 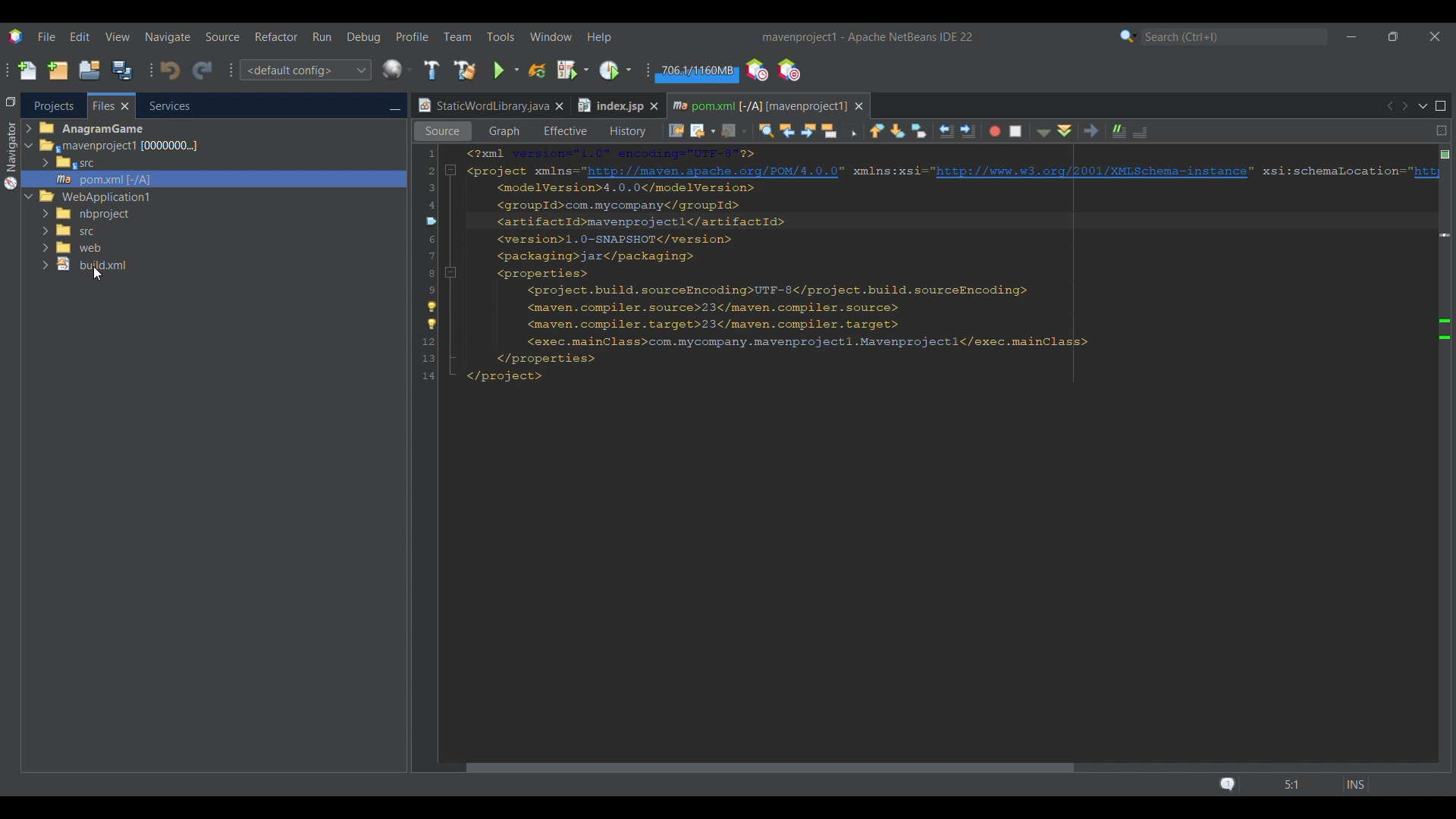 What do you see at coordinates (538, 71) in the screenshot?
I see `Reload` at bounding box center [538, 71].